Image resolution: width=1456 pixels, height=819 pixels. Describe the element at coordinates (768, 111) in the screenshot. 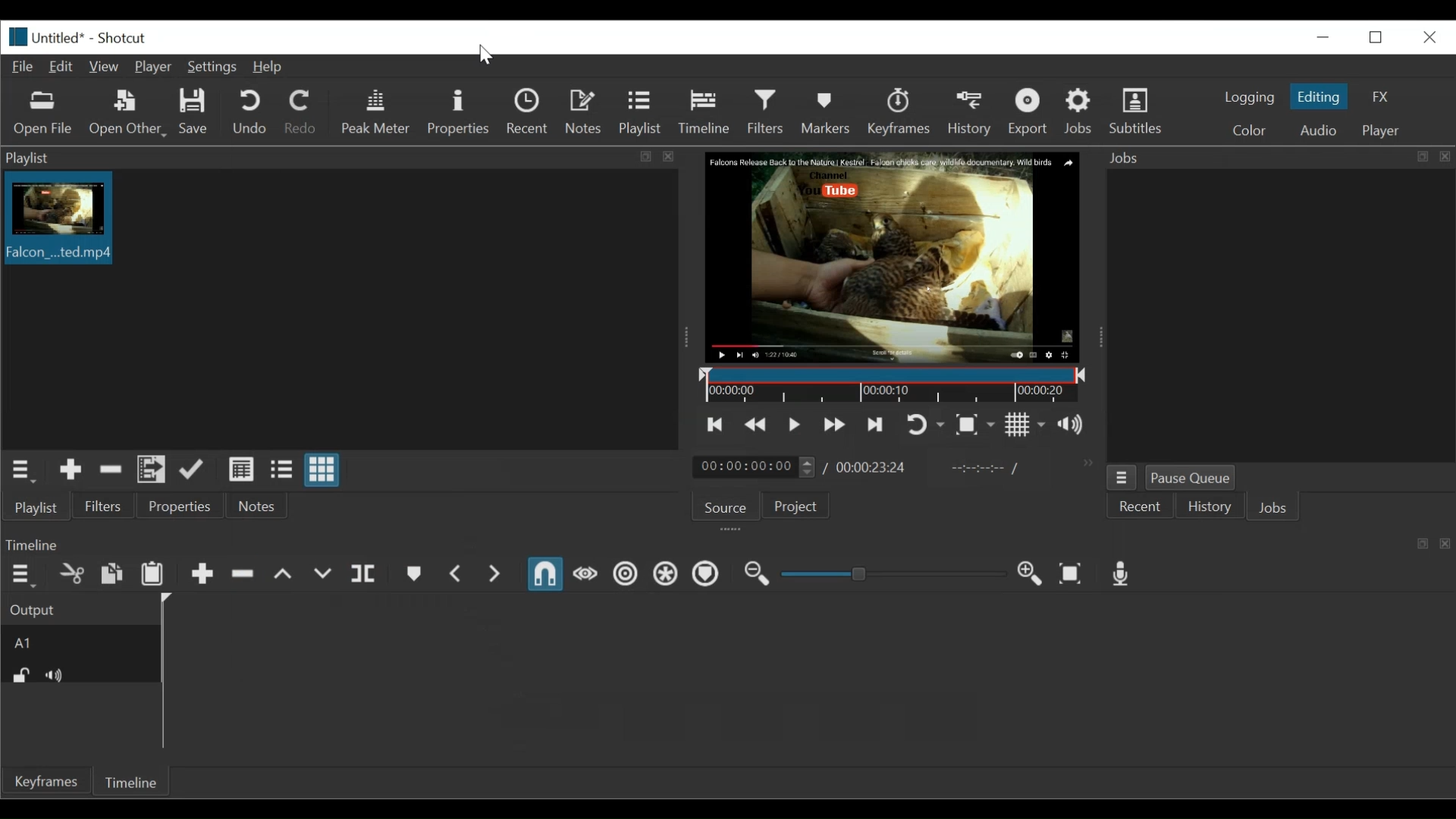

I see `Filters` at that location.